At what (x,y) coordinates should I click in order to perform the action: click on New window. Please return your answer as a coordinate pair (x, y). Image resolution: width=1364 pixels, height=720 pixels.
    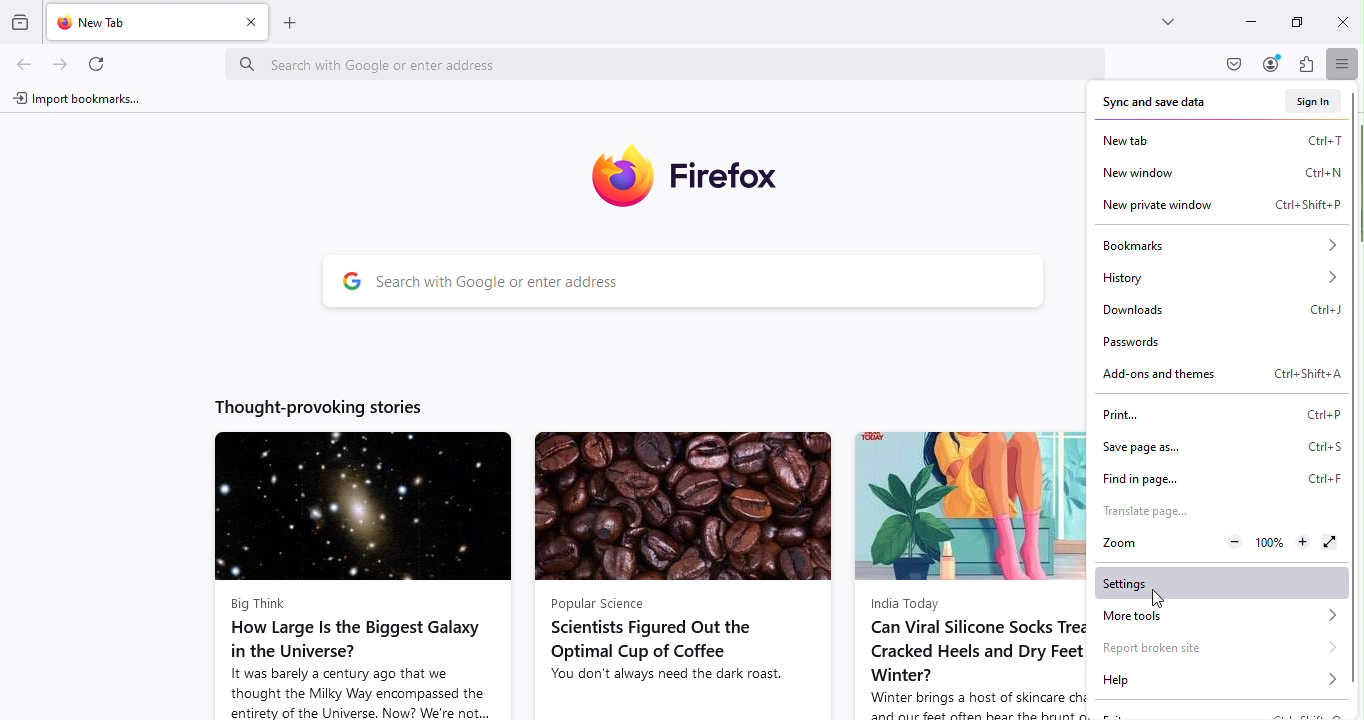
    Looking at the image, I should click on (1221, 170).